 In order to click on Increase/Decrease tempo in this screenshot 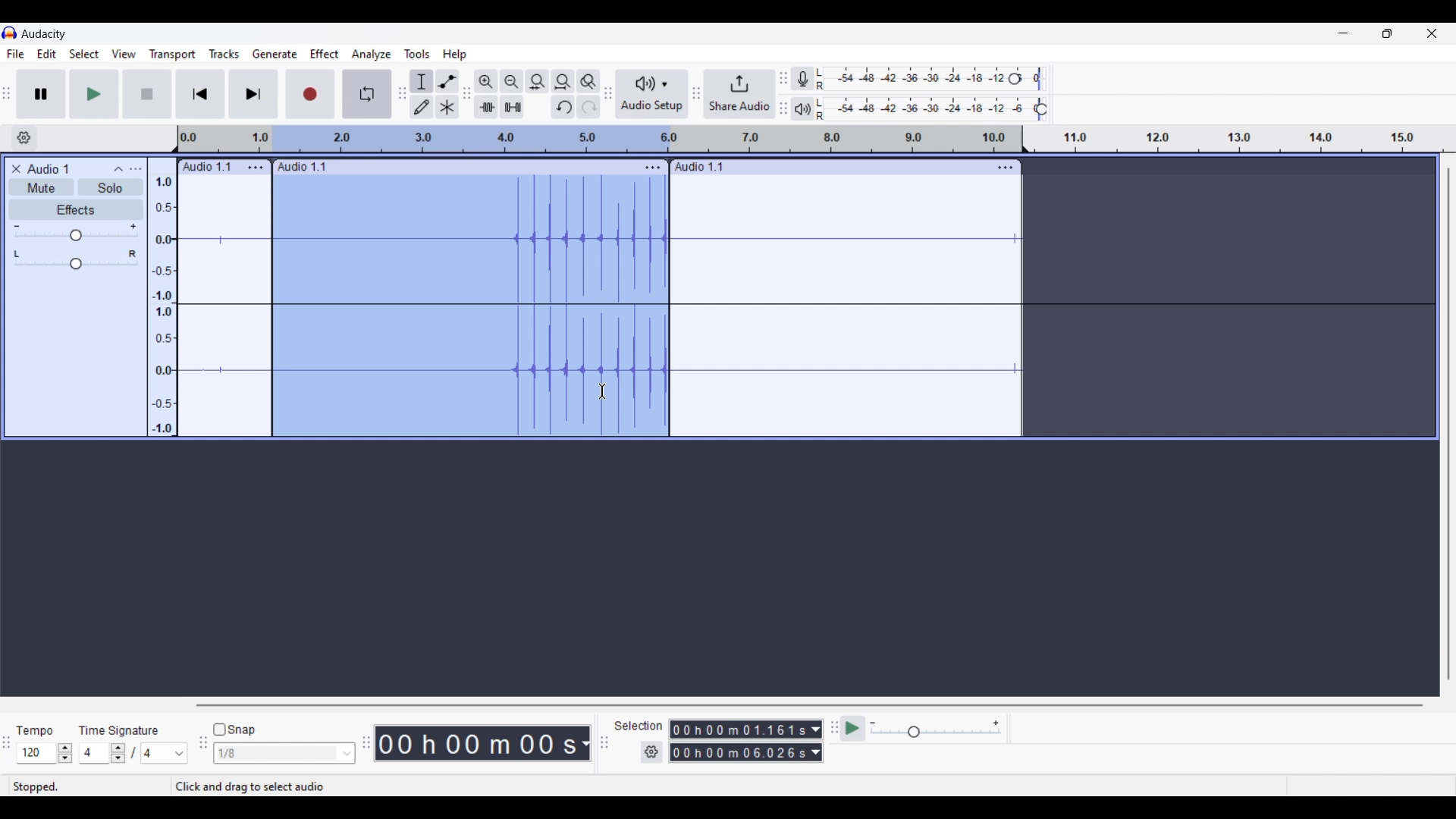, I will do `click(64, 754)`.